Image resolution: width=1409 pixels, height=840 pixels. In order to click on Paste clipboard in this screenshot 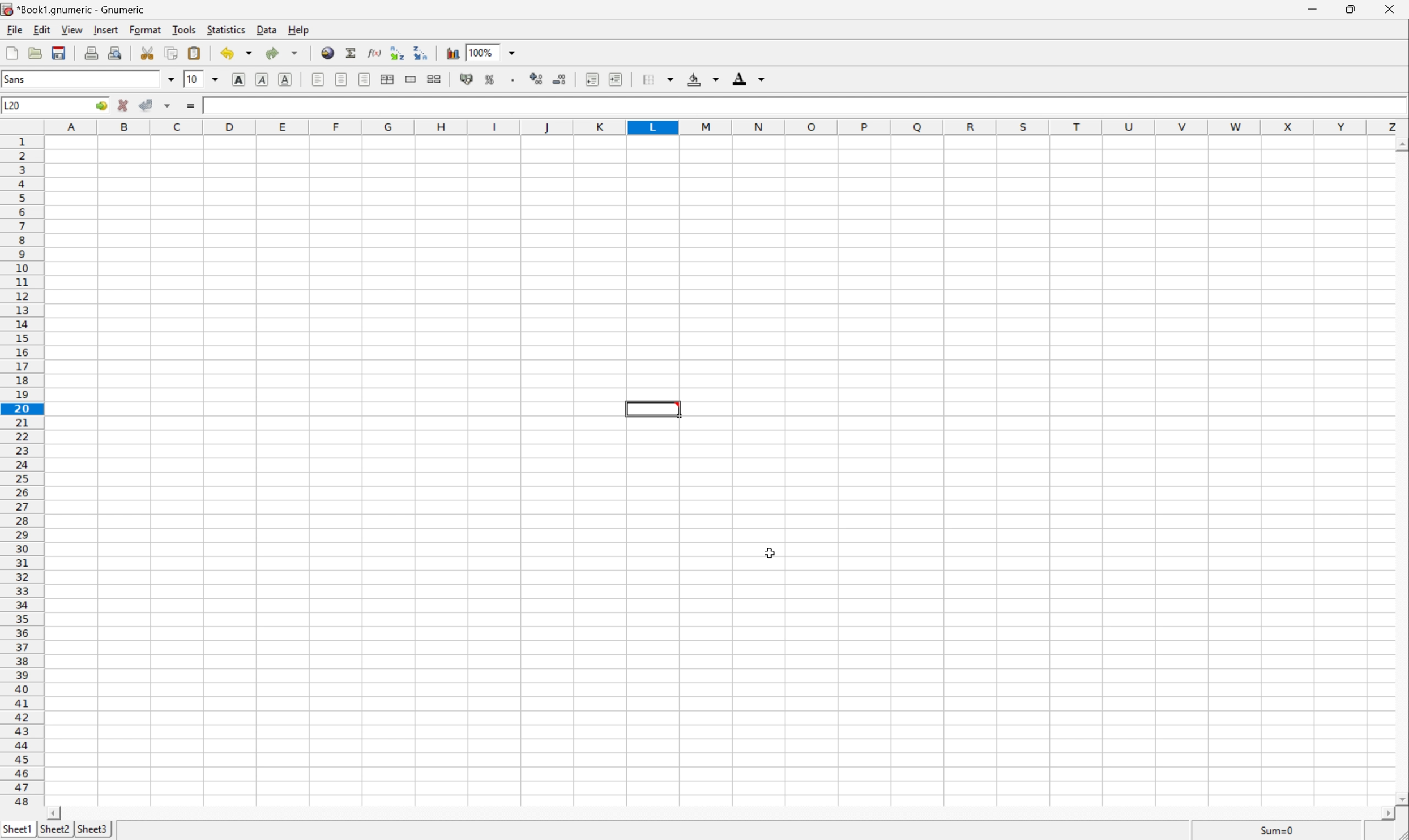, I will do `click(195, 53)`.